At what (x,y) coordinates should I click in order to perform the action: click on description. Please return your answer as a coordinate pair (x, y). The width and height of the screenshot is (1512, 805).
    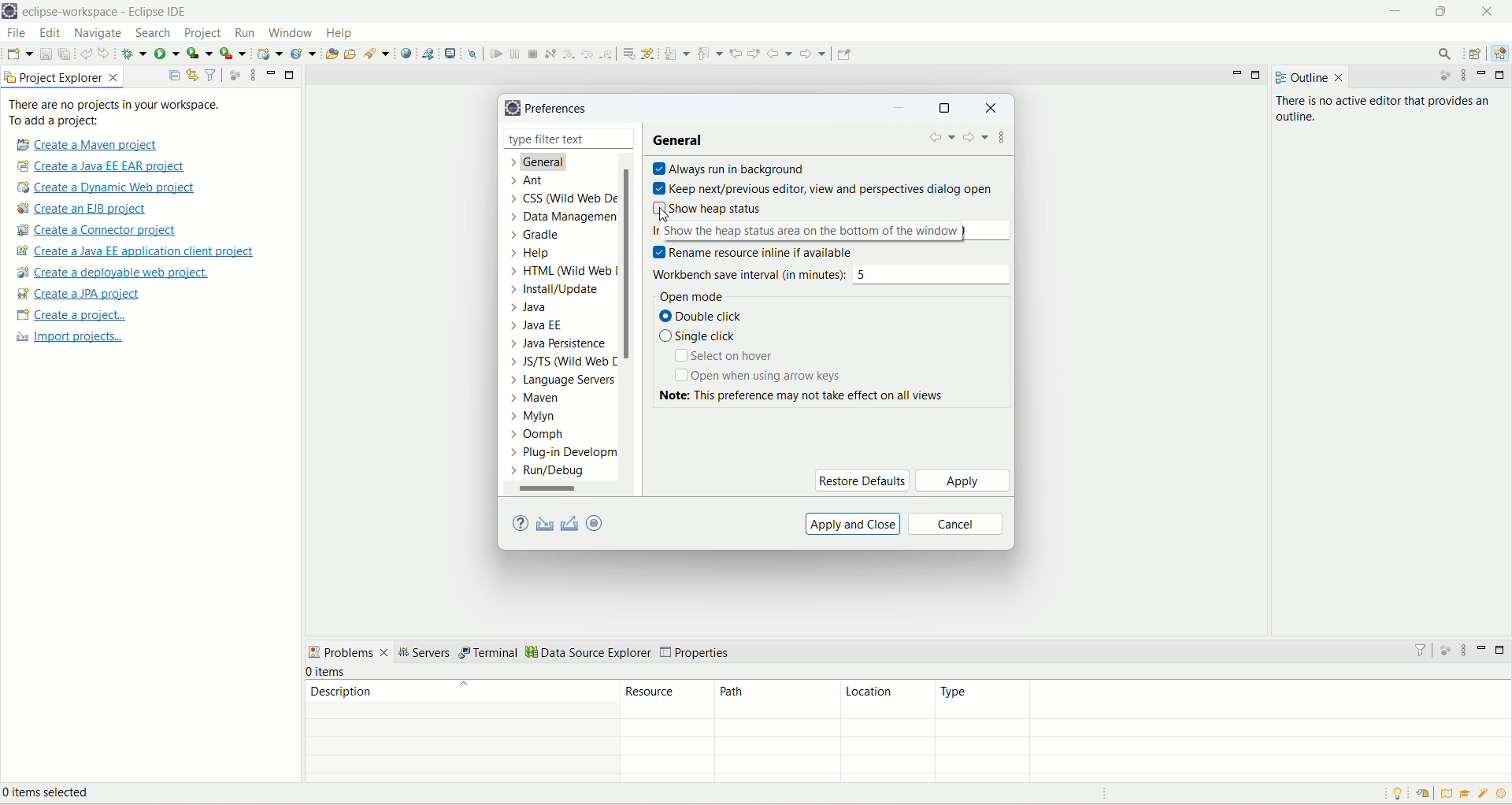
    Looking at the image, I should click on (461, 691).